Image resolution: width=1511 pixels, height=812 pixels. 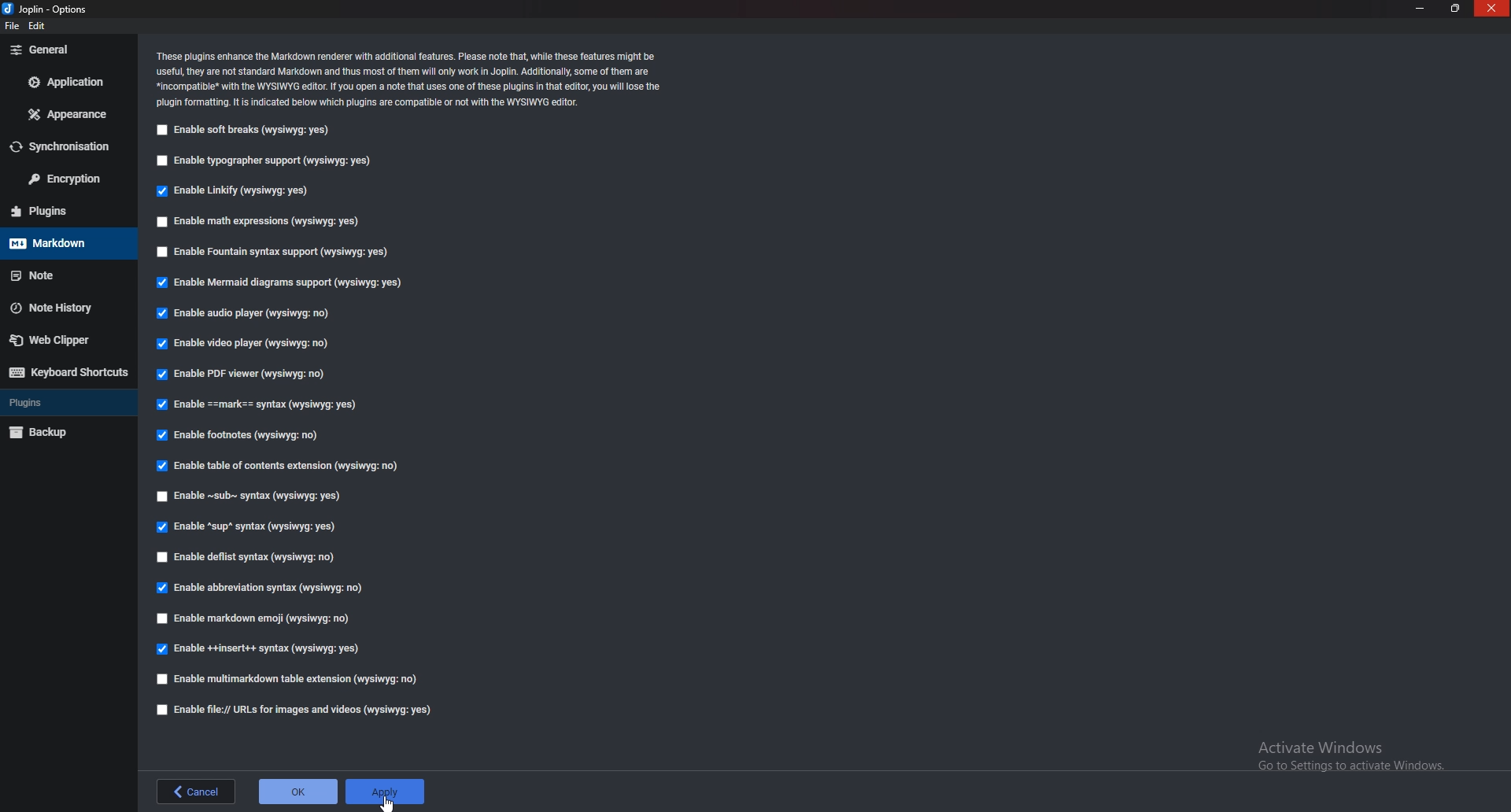 I want to click on enable abbreviation Syntax, so click(x=264, y=588).